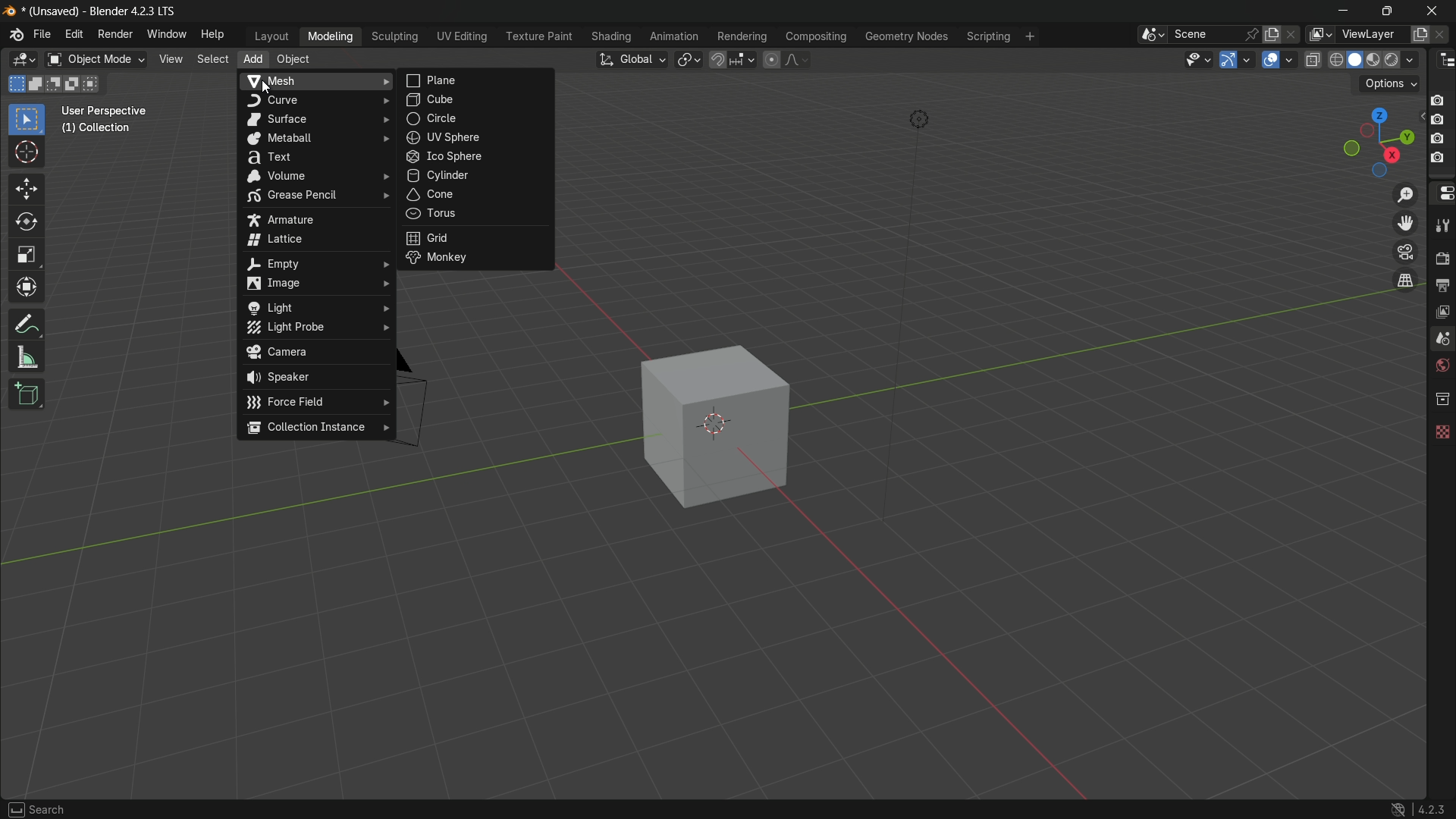 The image size is (1456, 819). What do you see at coordinates (611, 36) in the screenshot?
I see `shading menu` at bounding box center [611, 36].